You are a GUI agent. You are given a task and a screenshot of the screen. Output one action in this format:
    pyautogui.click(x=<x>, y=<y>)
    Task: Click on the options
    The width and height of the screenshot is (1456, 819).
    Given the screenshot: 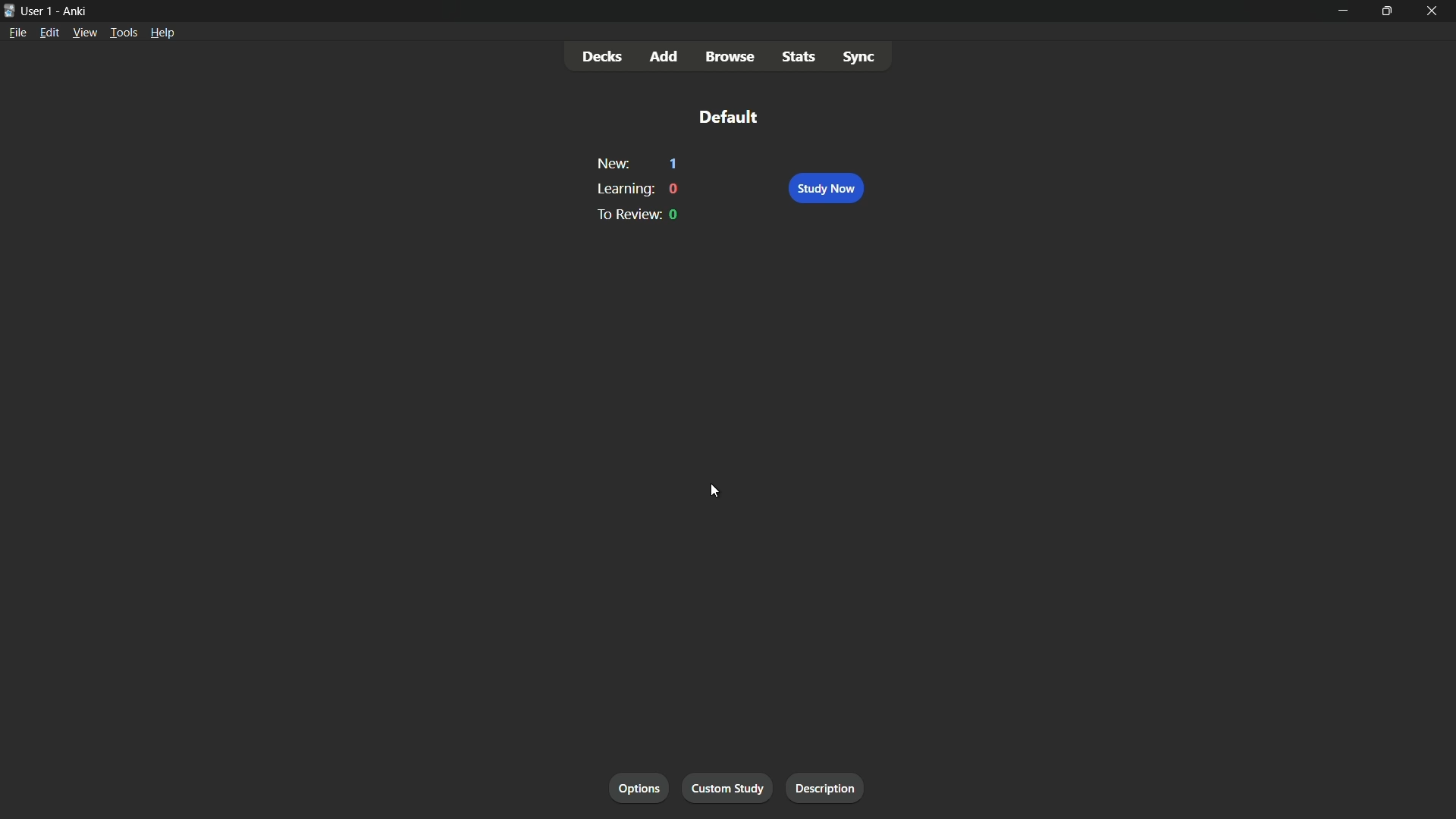 What is the action you would take?
    pyautogui.click(x=641, y=786)
    